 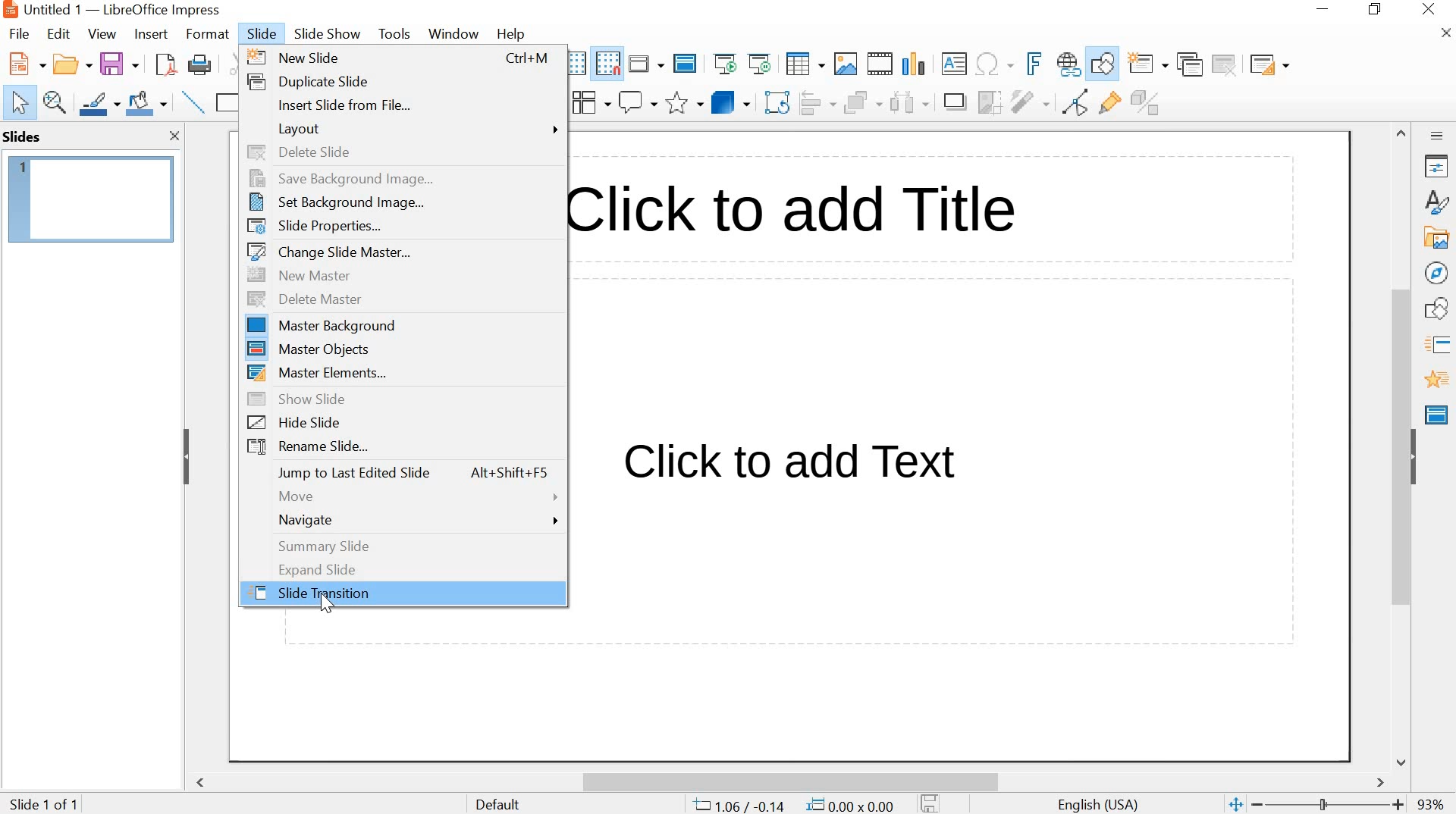 I want to click on Start from current slide, so click(x=758, y=64).